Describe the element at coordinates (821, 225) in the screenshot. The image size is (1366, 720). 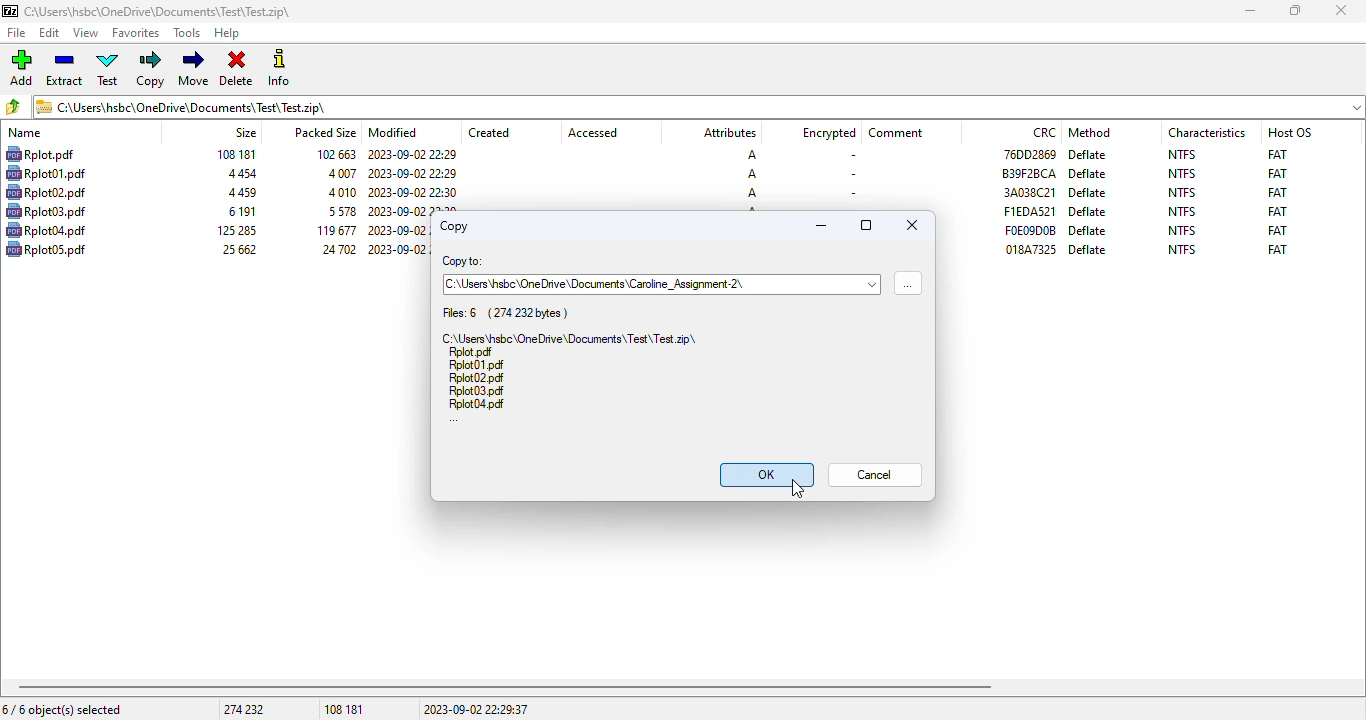
I see `minimize` at that location.